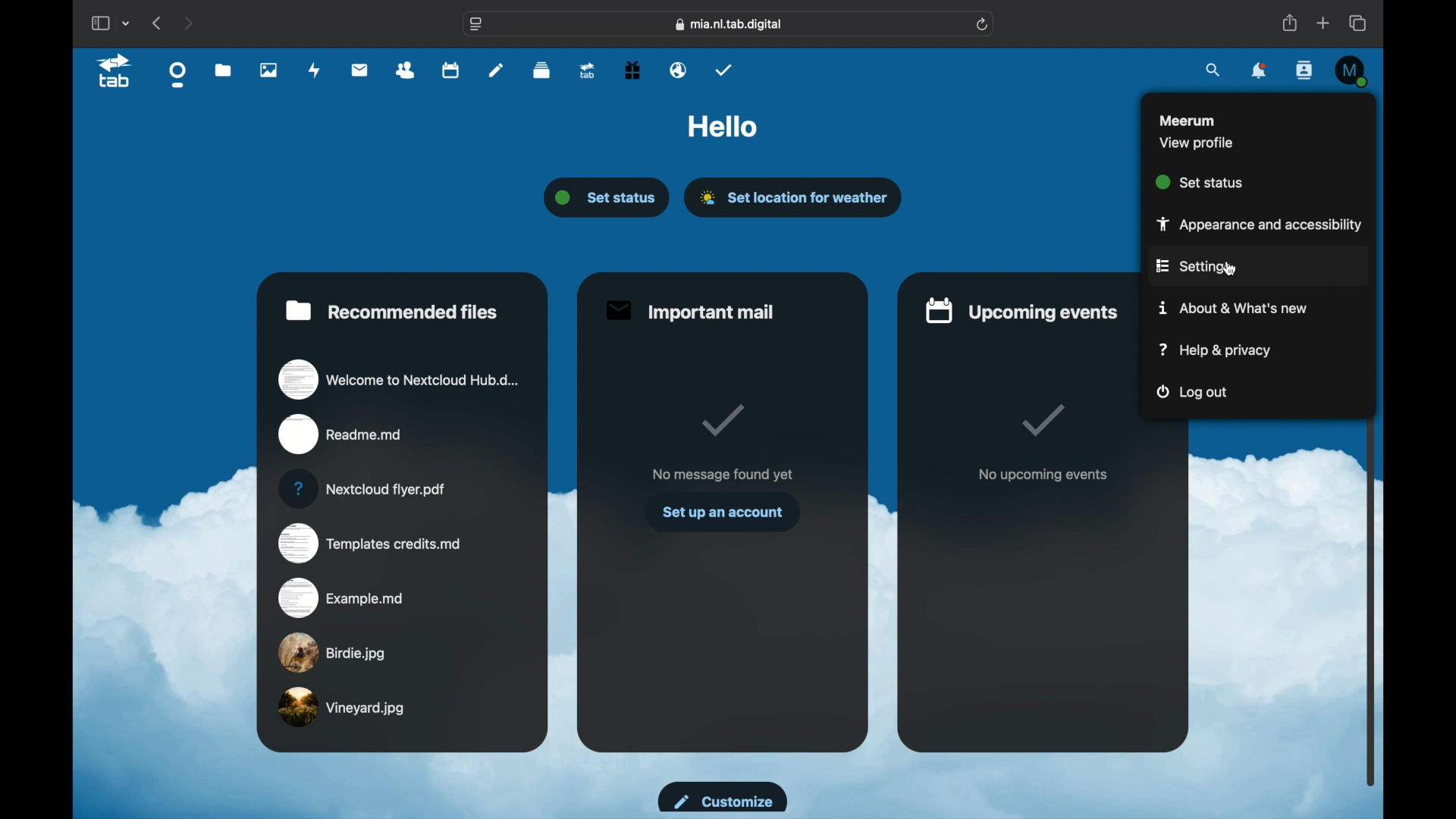  Describe the element at coordinates (341, 435) in the screenshot. I see `readme` at that location.